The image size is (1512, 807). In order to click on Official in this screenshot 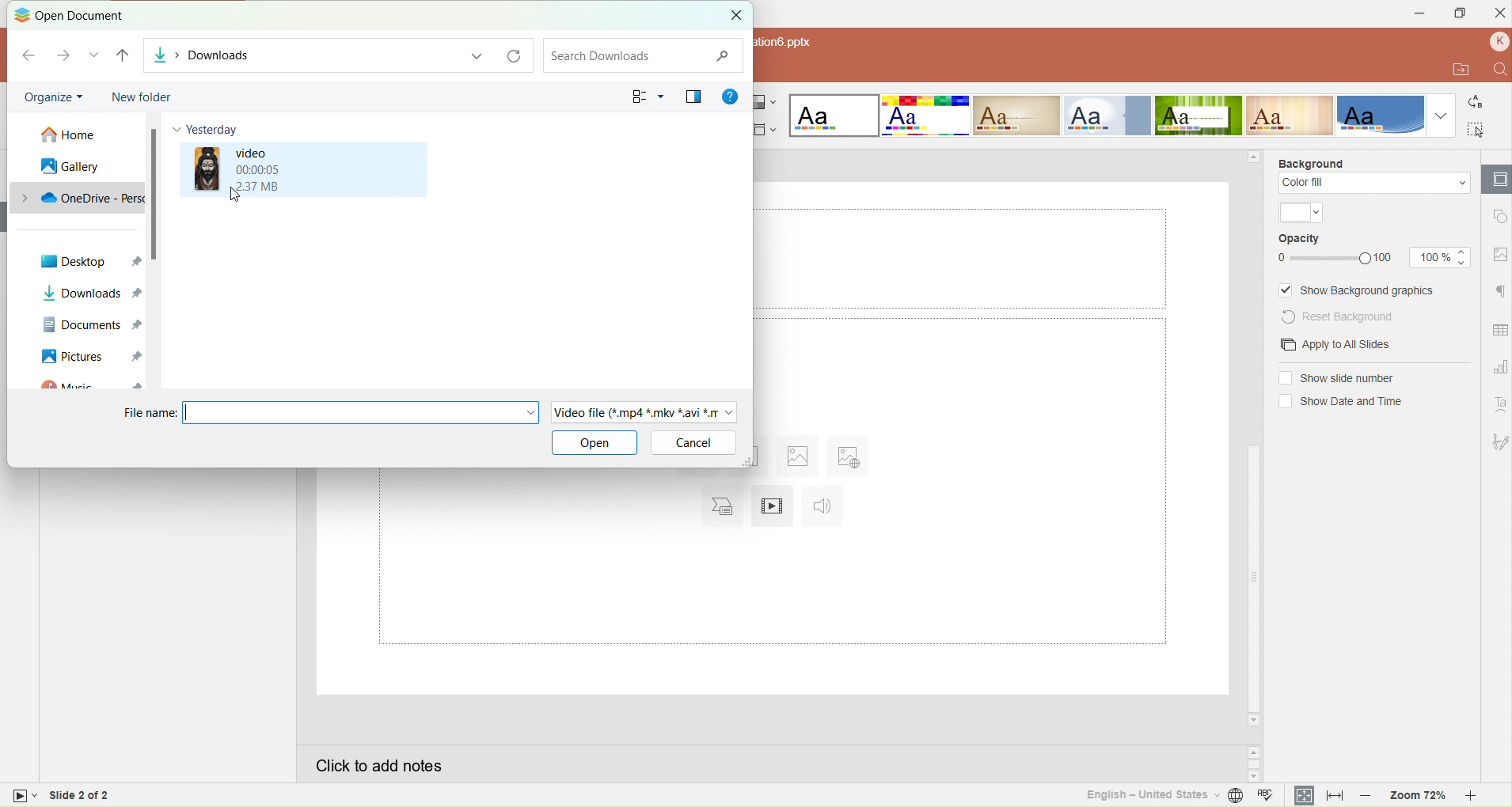, I will do `click(1107, 116)`.